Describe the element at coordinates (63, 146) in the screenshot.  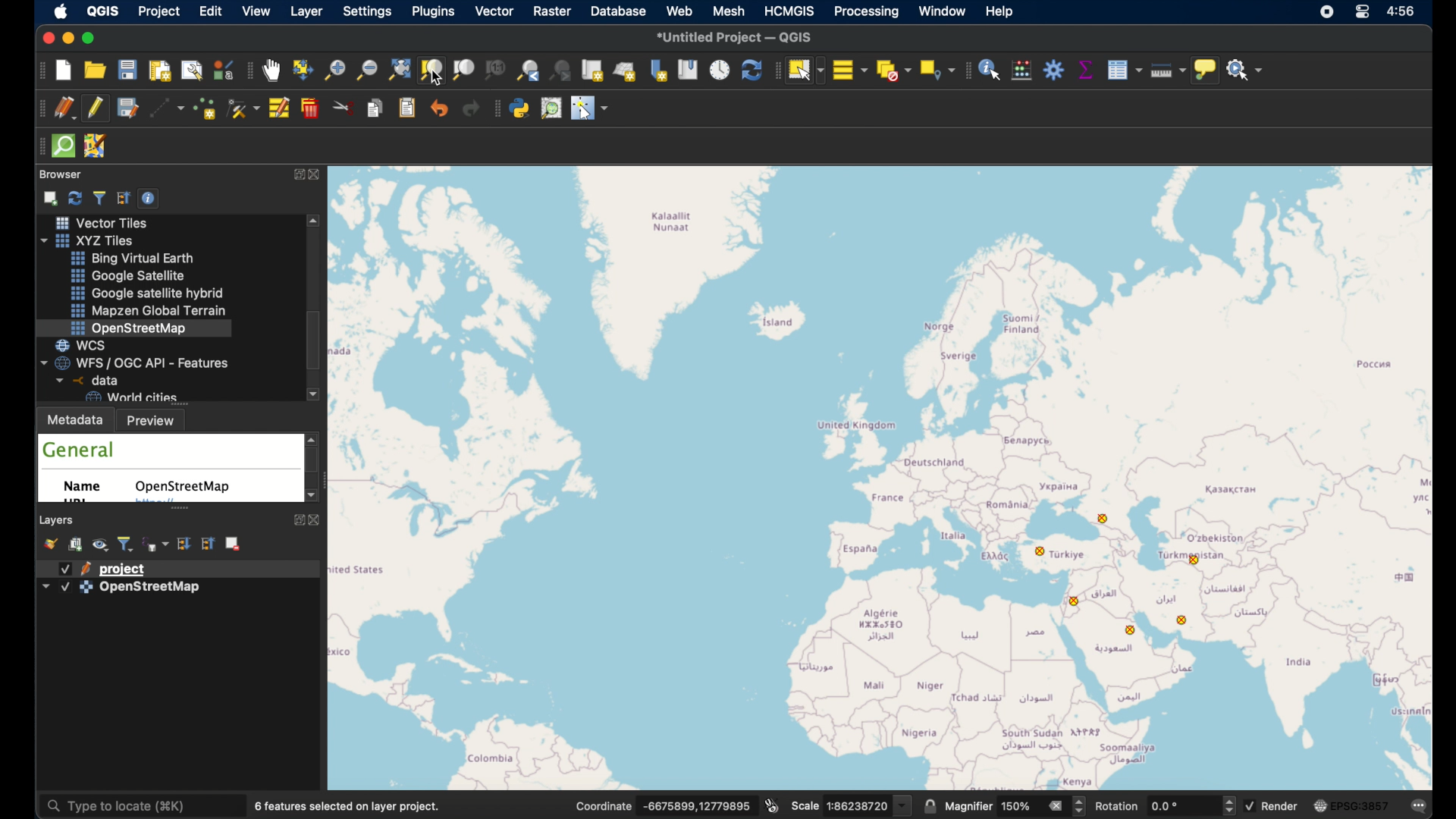
I see `quick osm` at that location.